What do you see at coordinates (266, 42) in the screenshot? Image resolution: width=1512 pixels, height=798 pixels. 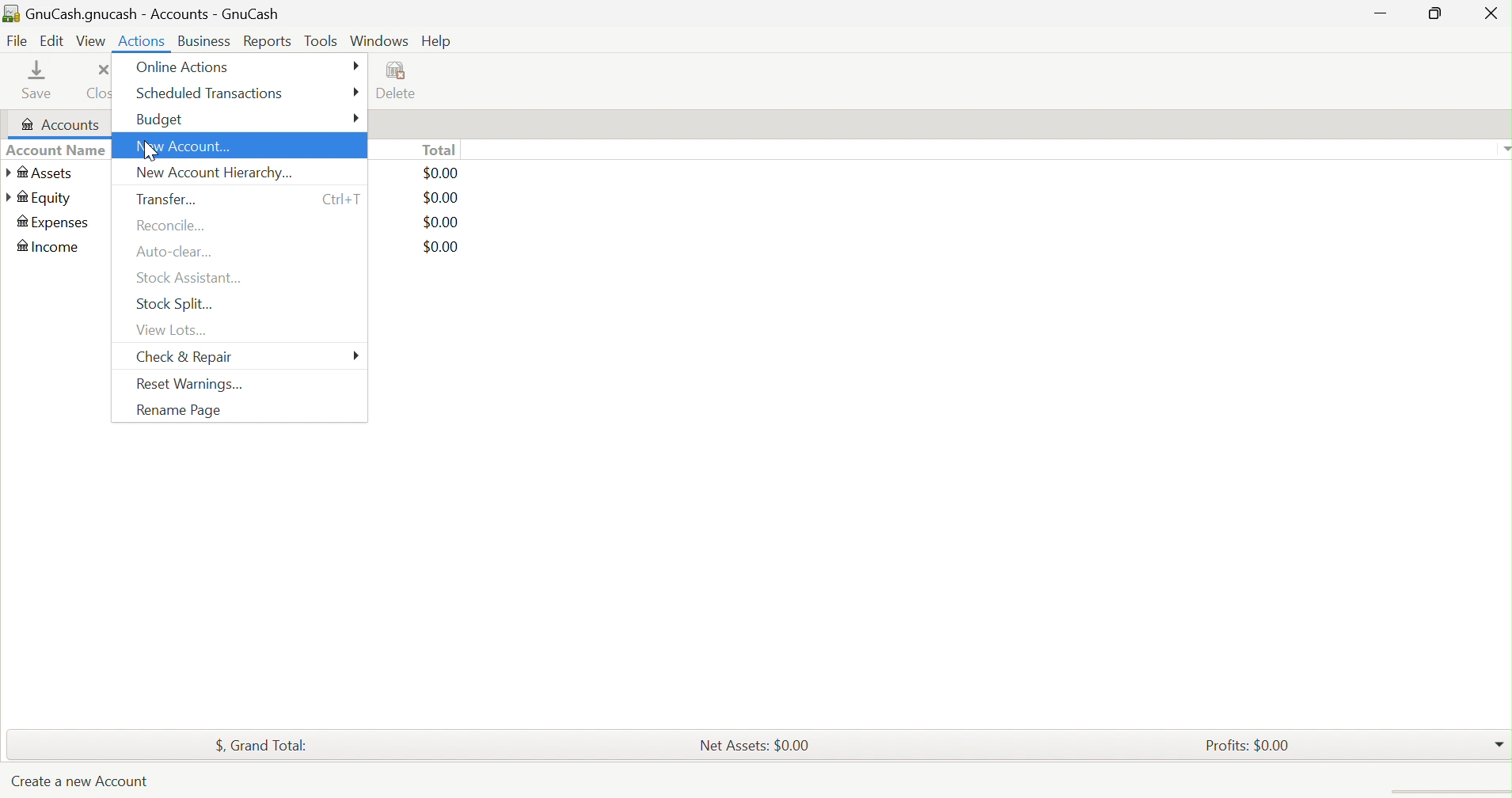 I see `Reports` at bounding box center [266, 42].